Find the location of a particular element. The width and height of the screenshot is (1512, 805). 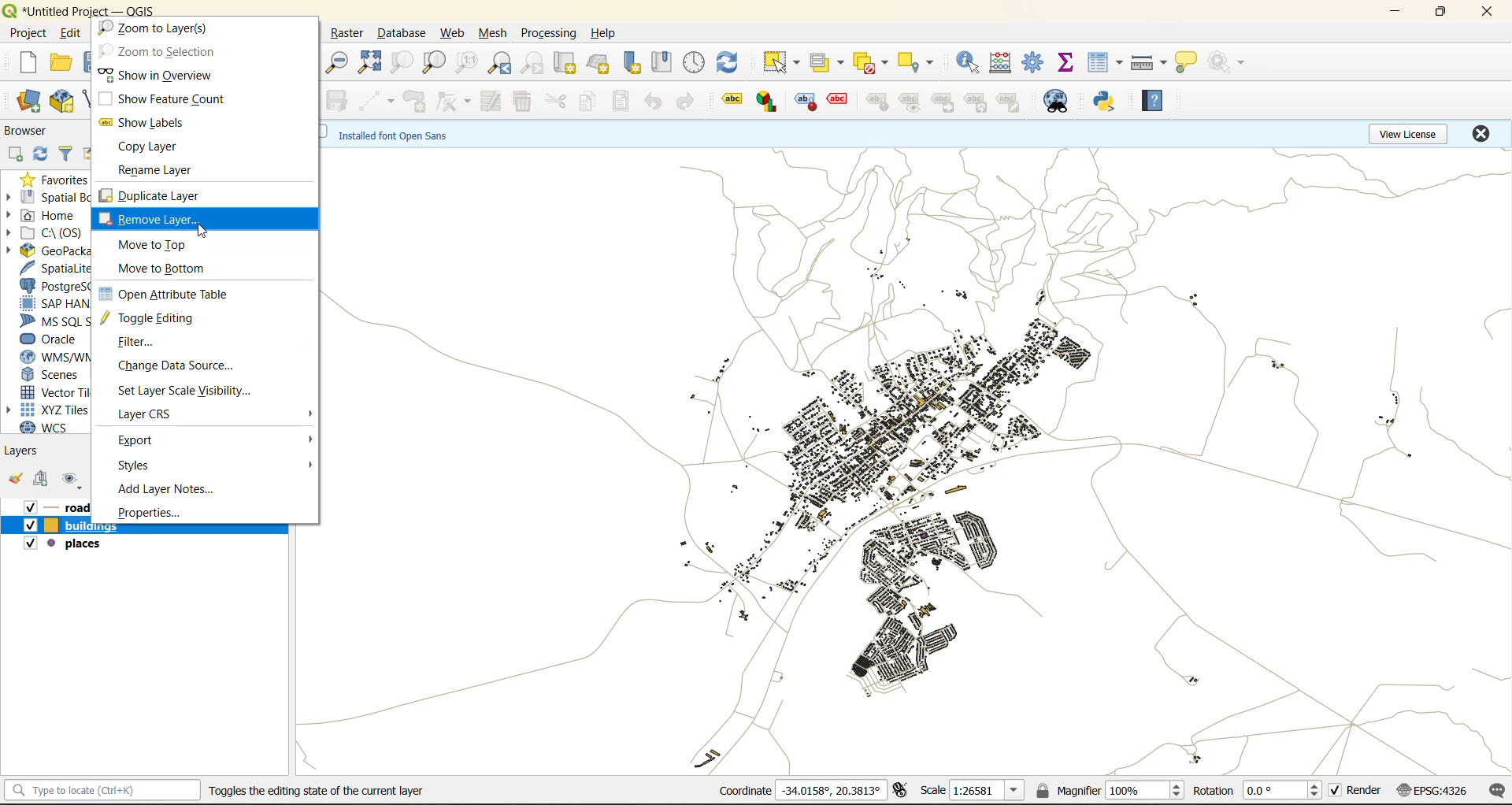

copy is located at coordinates (589, 104).